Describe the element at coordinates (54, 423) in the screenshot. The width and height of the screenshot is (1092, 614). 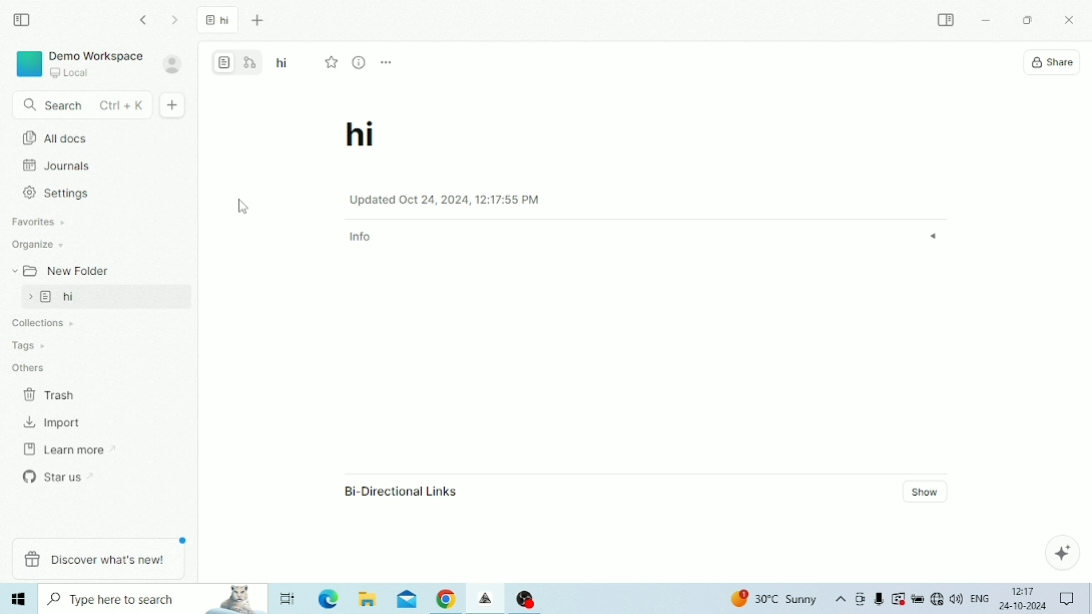
I see `Import` at that location.